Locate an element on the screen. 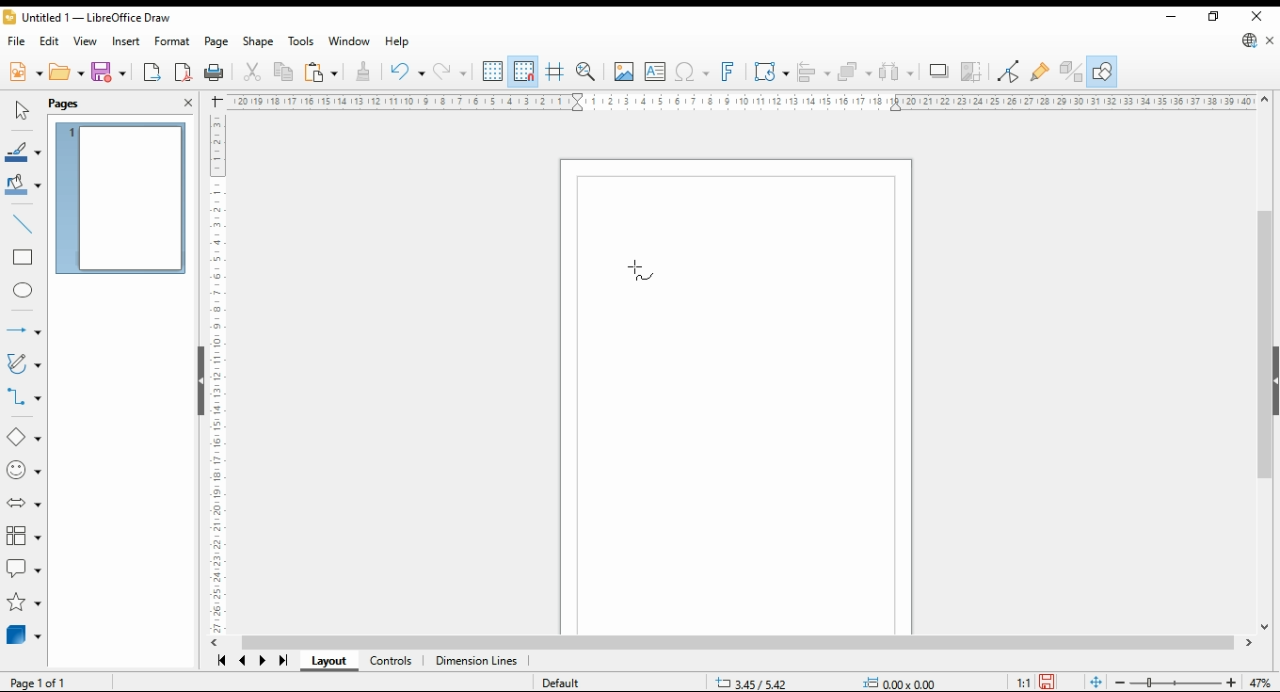 This screenshot has height=692, width=1280. symbol shapes is located at coordinates (24, 471).